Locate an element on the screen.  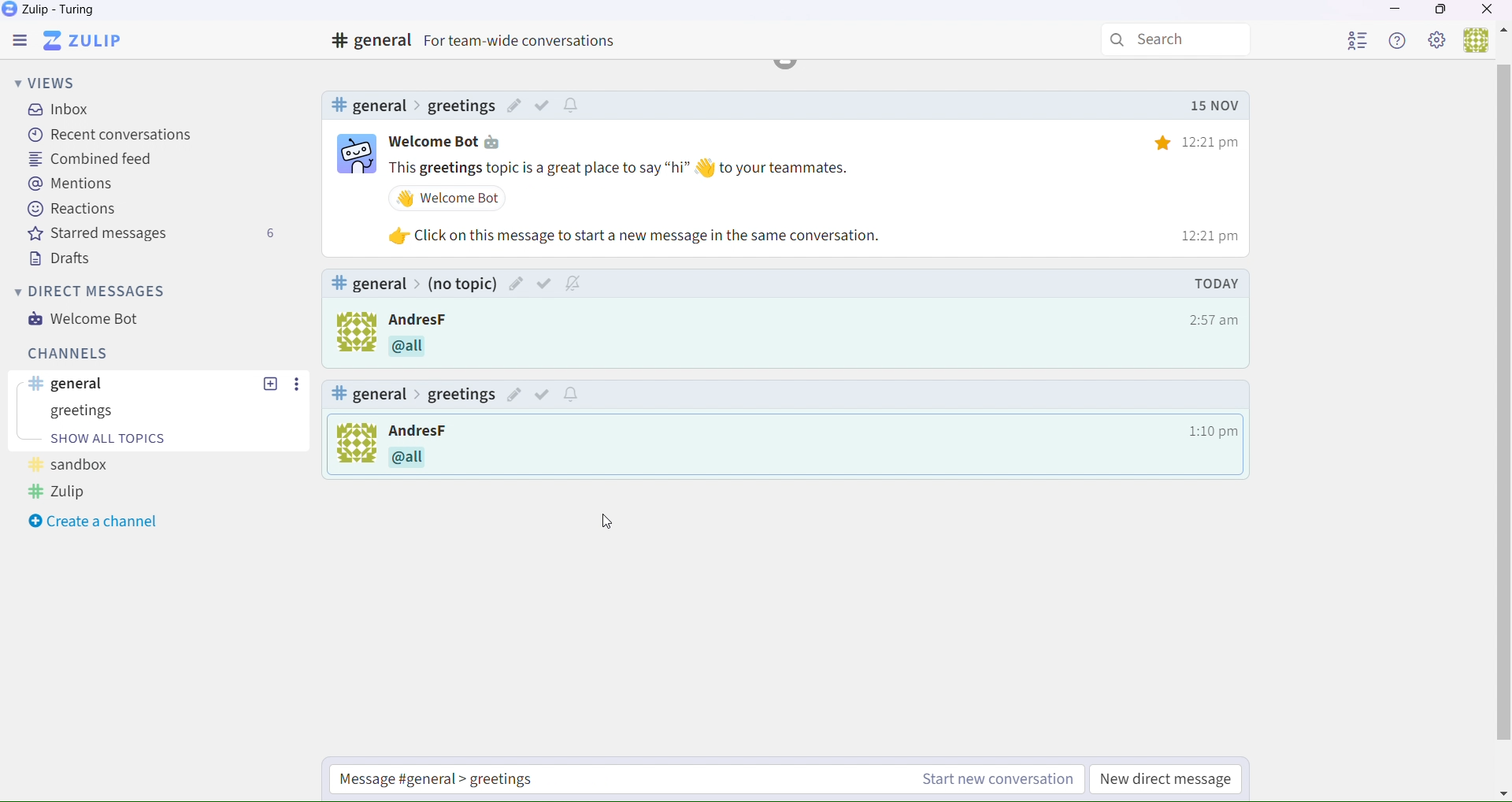
Sanbox is located at coordinates (161, 411).